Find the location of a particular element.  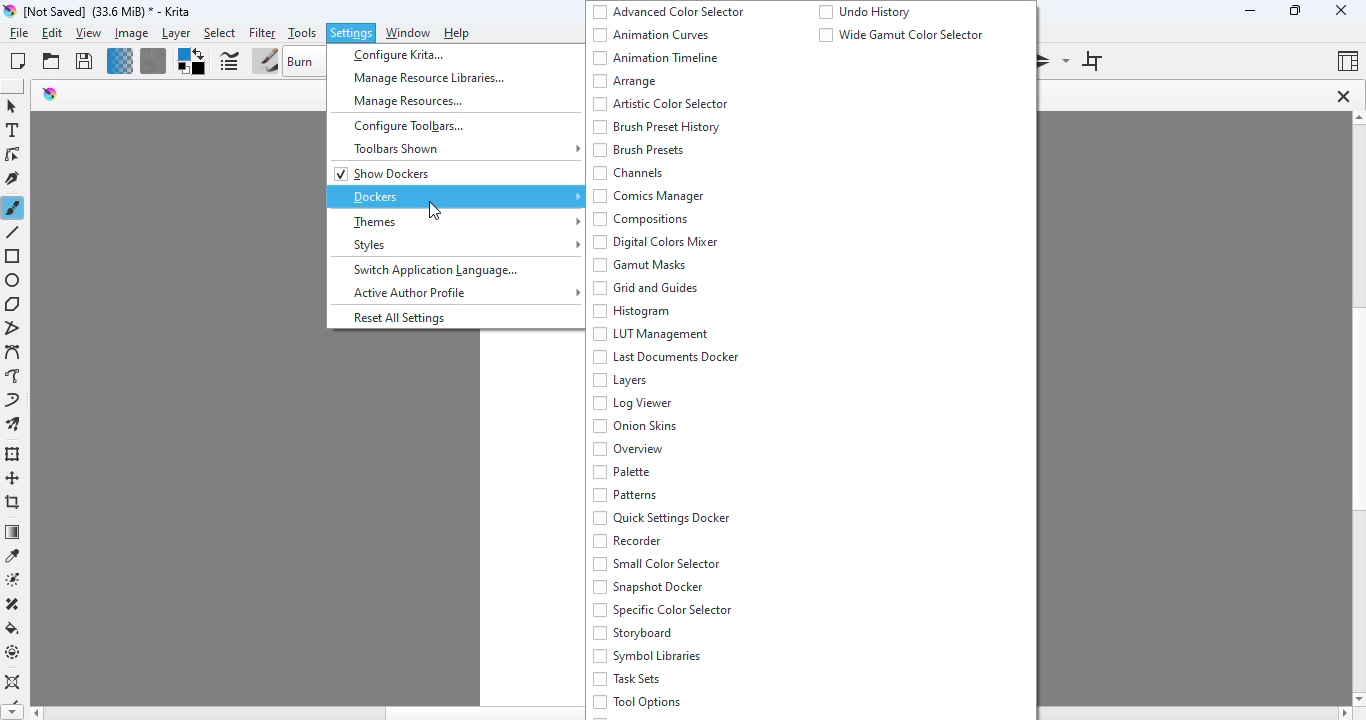

scroll right is located at coordinates (1343, 714).